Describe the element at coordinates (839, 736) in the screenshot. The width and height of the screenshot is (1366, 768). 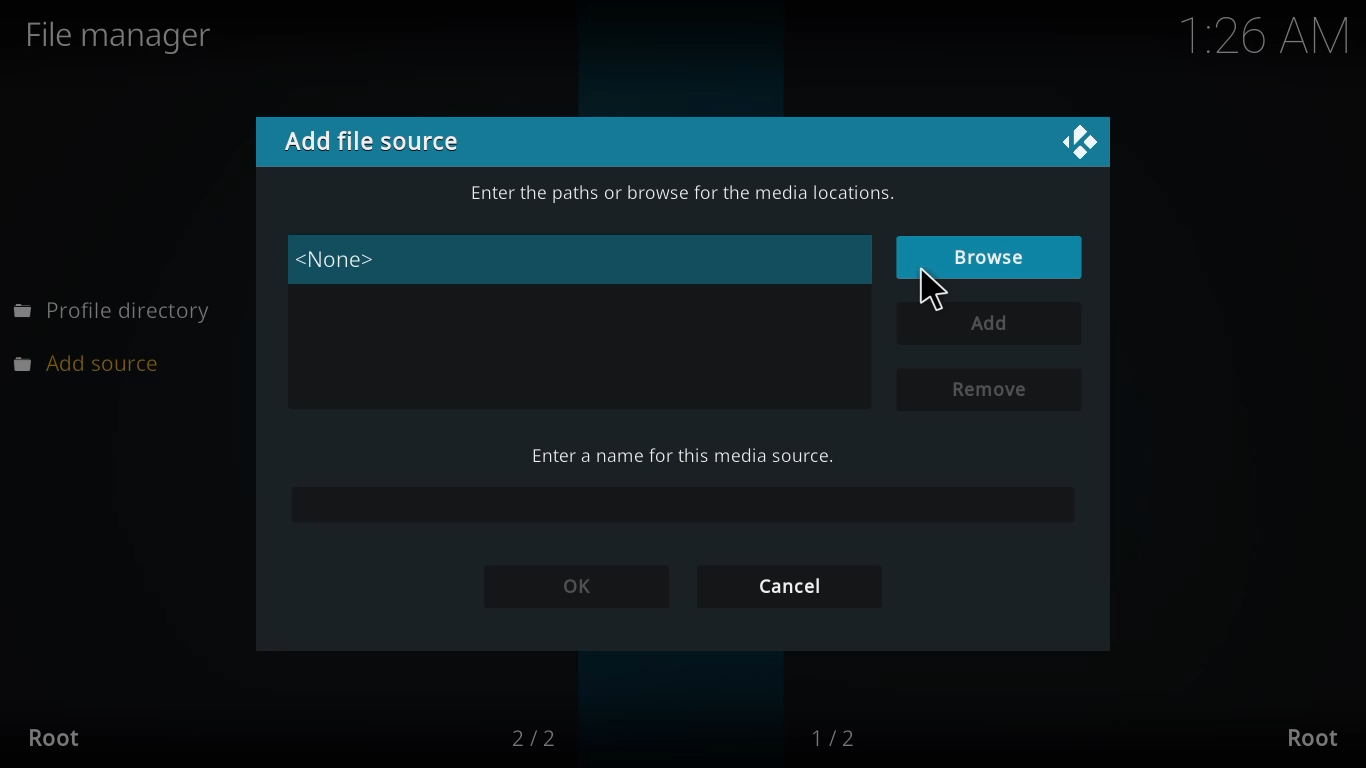
I see `1/2` at that location.